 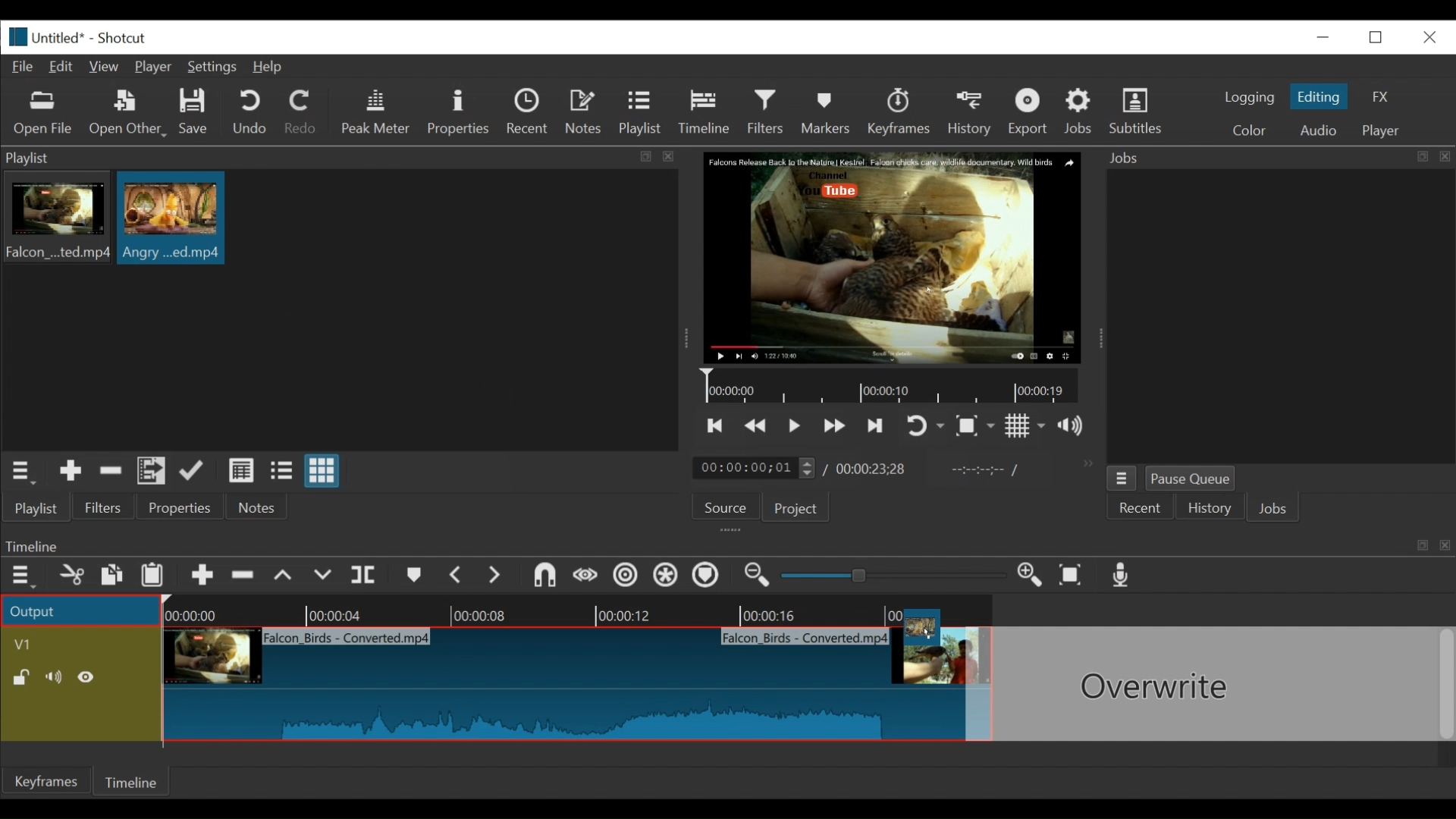 I want to click on Open file, so click(x=43, y=114).